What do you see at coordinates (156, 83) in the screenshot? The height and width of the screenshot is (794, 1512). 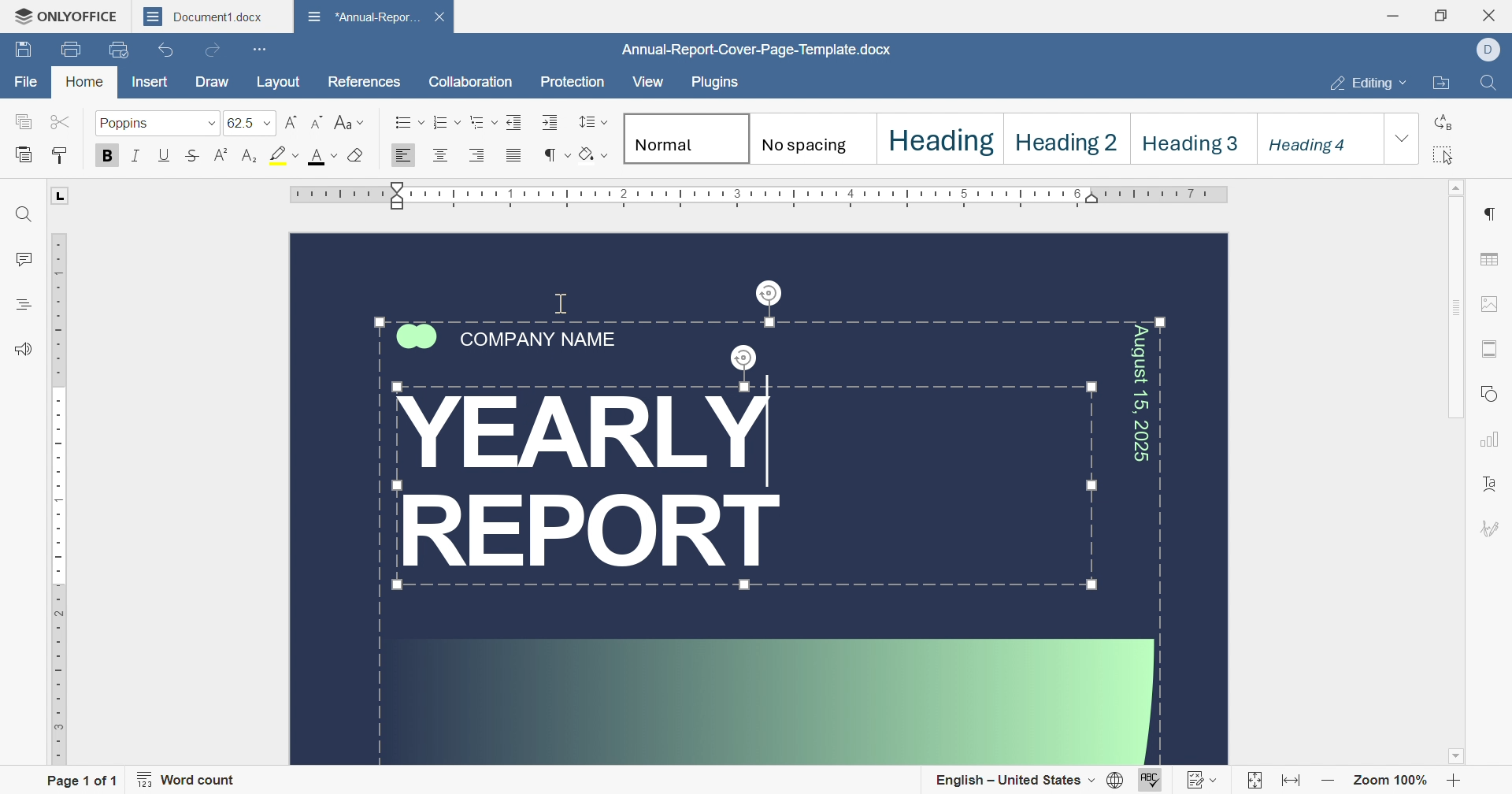 I see `insert` at bounding box center [156, 83].